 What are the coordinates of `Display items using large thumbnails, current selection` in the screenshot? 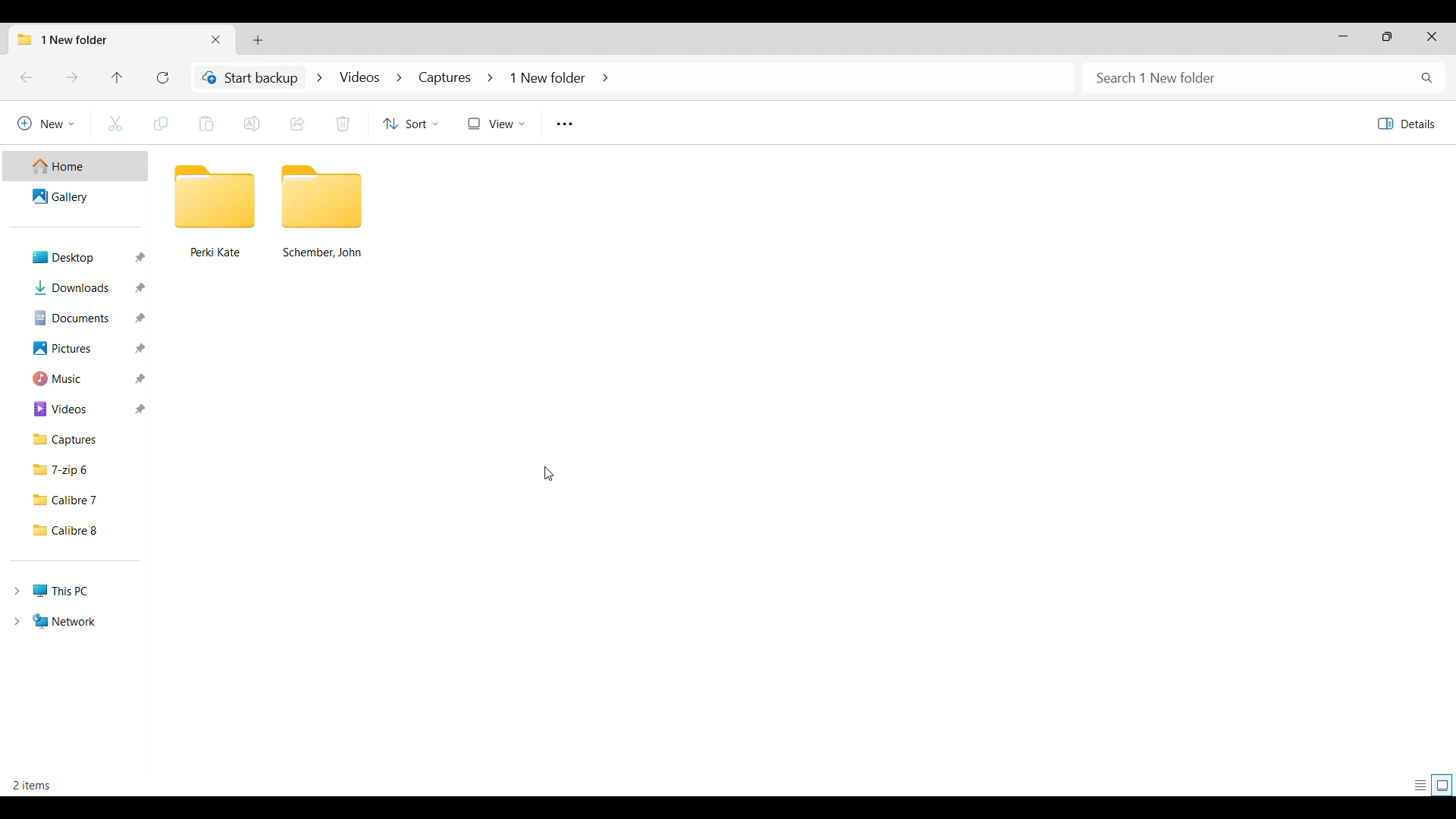 It's located at (1442, 785).